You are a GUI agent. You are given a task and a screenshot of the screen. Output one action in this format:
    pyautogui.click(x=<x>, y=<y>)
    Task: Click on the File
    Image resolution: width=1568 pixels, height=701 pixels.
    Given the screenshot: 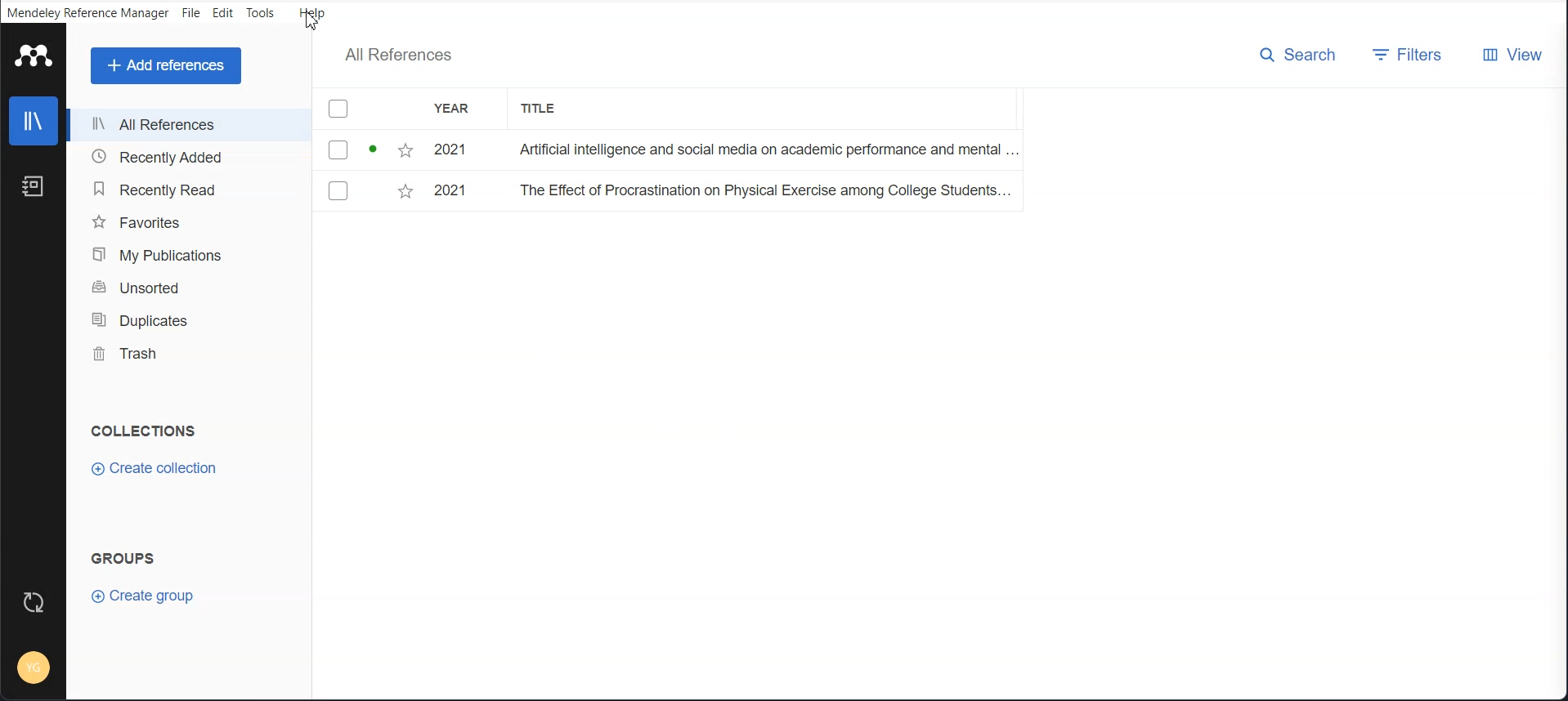 What is the action you would take?
    pyautogui.click(x=190, y=13)
    